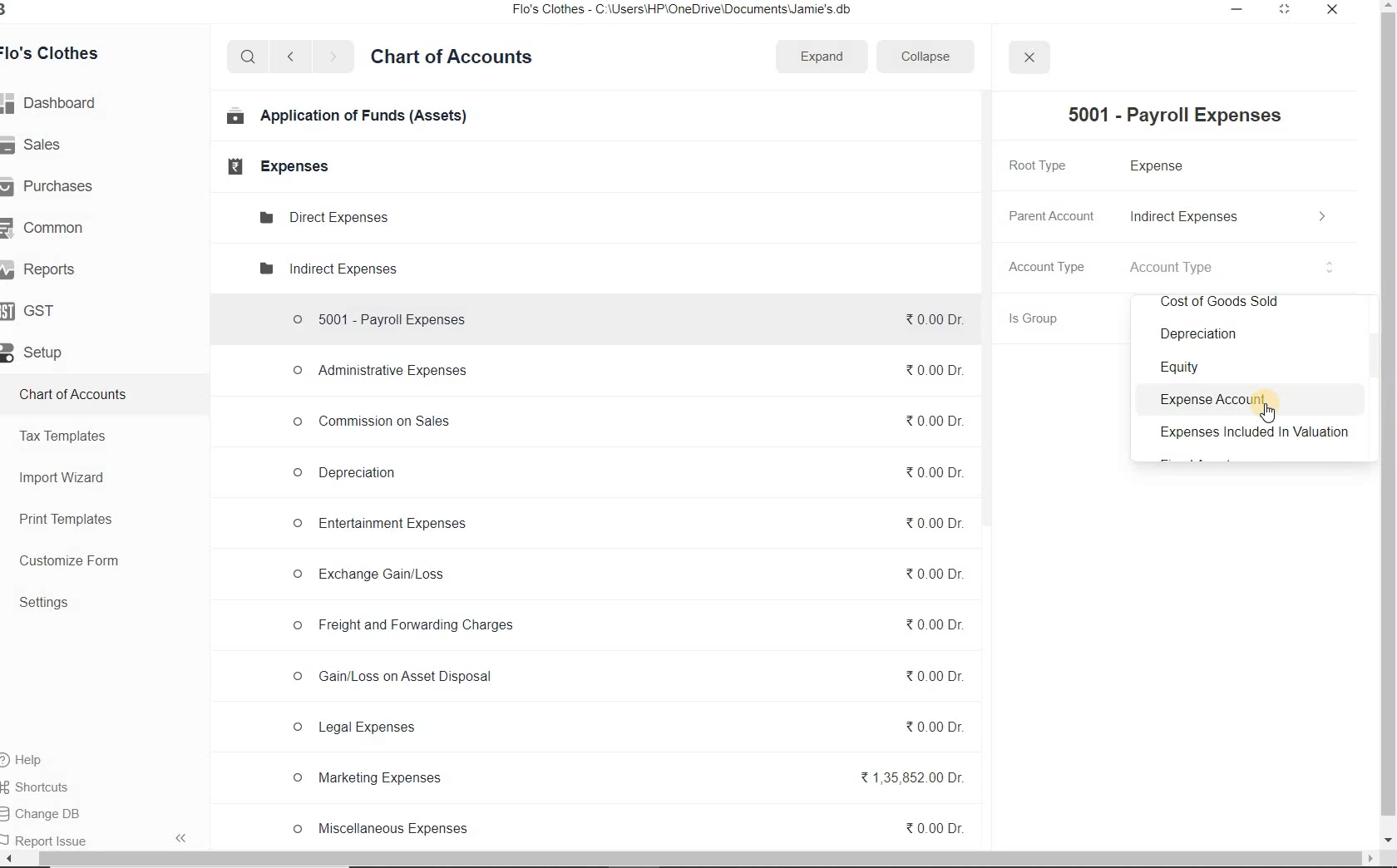  Describe the element at coordinates (629, 477) in the screenshot. I see `© Depreciation 20.000r` at that location.